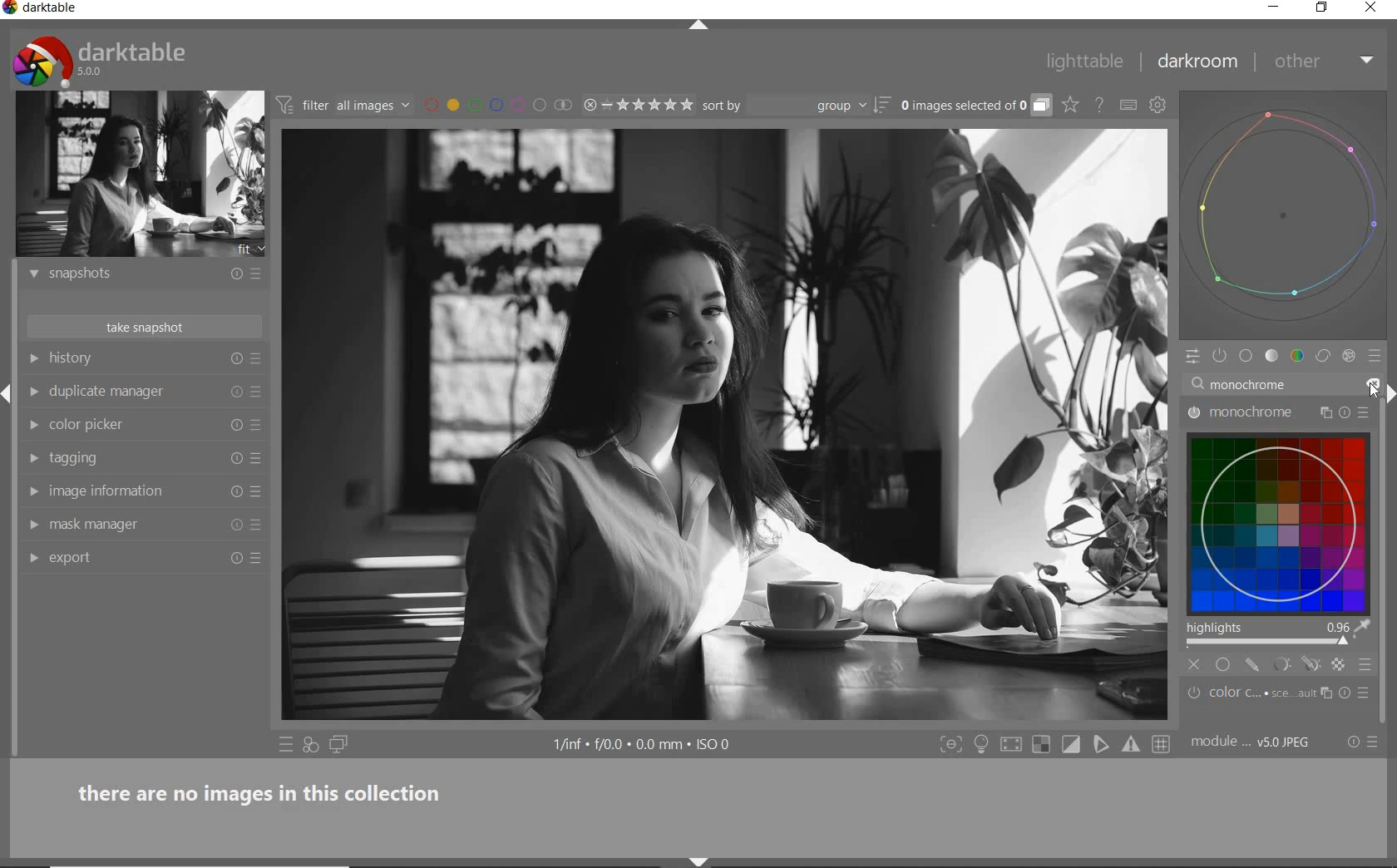  What do you see at coordinates (1130, 745) in the screenshot?
I see `Toggle gamut checking` at bounding box center [1130, 745].